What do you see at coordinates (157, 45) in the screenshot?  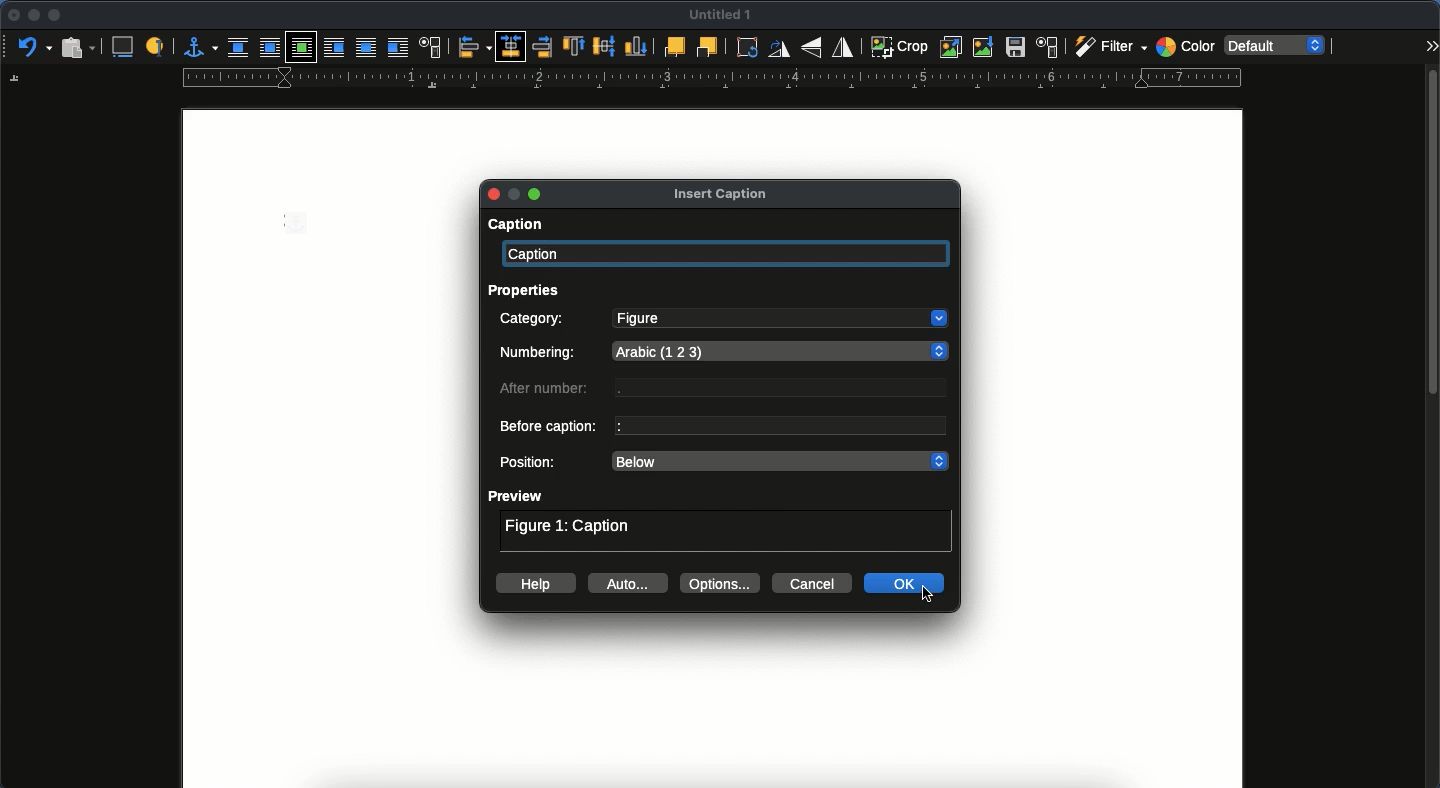 I see `label to identify an object ` at bounding box center [157, 45].